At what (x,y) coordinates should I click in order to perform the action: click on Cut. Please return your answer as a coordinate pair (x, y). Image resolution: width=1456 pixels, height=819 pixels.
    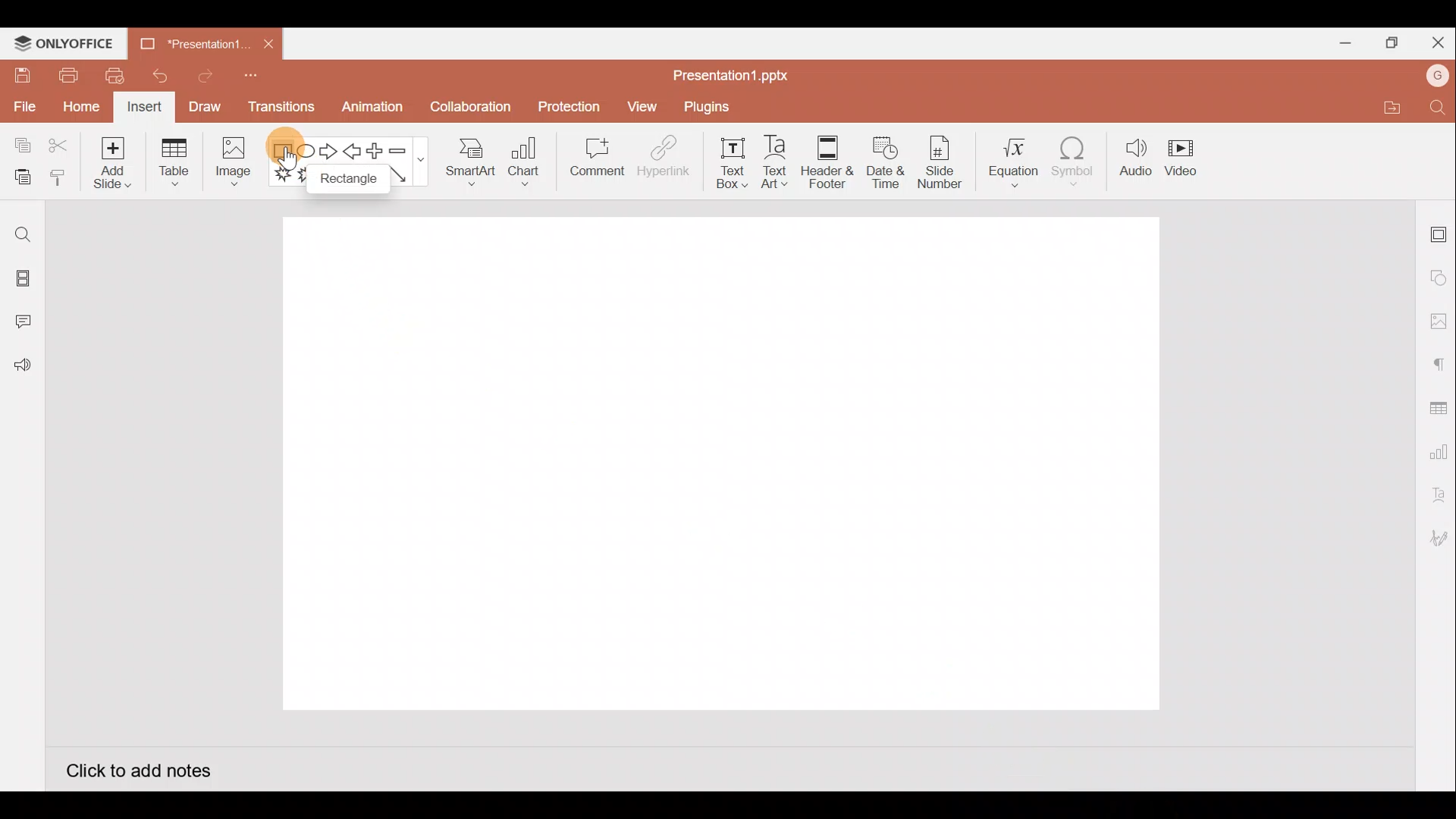
    Looking at the image, I should click on (59, 146).